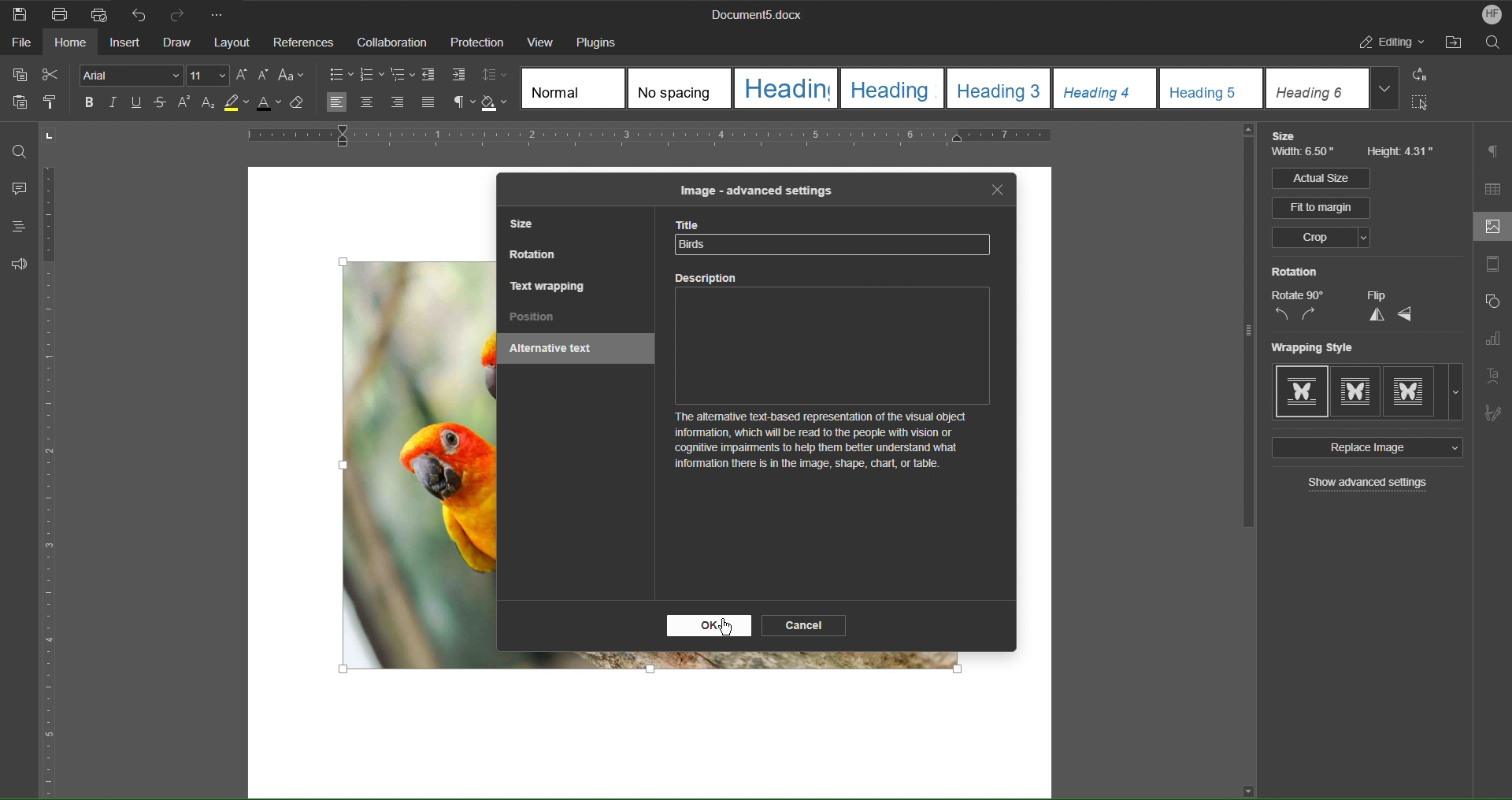  I want to click on Width, so click(1306, 154).